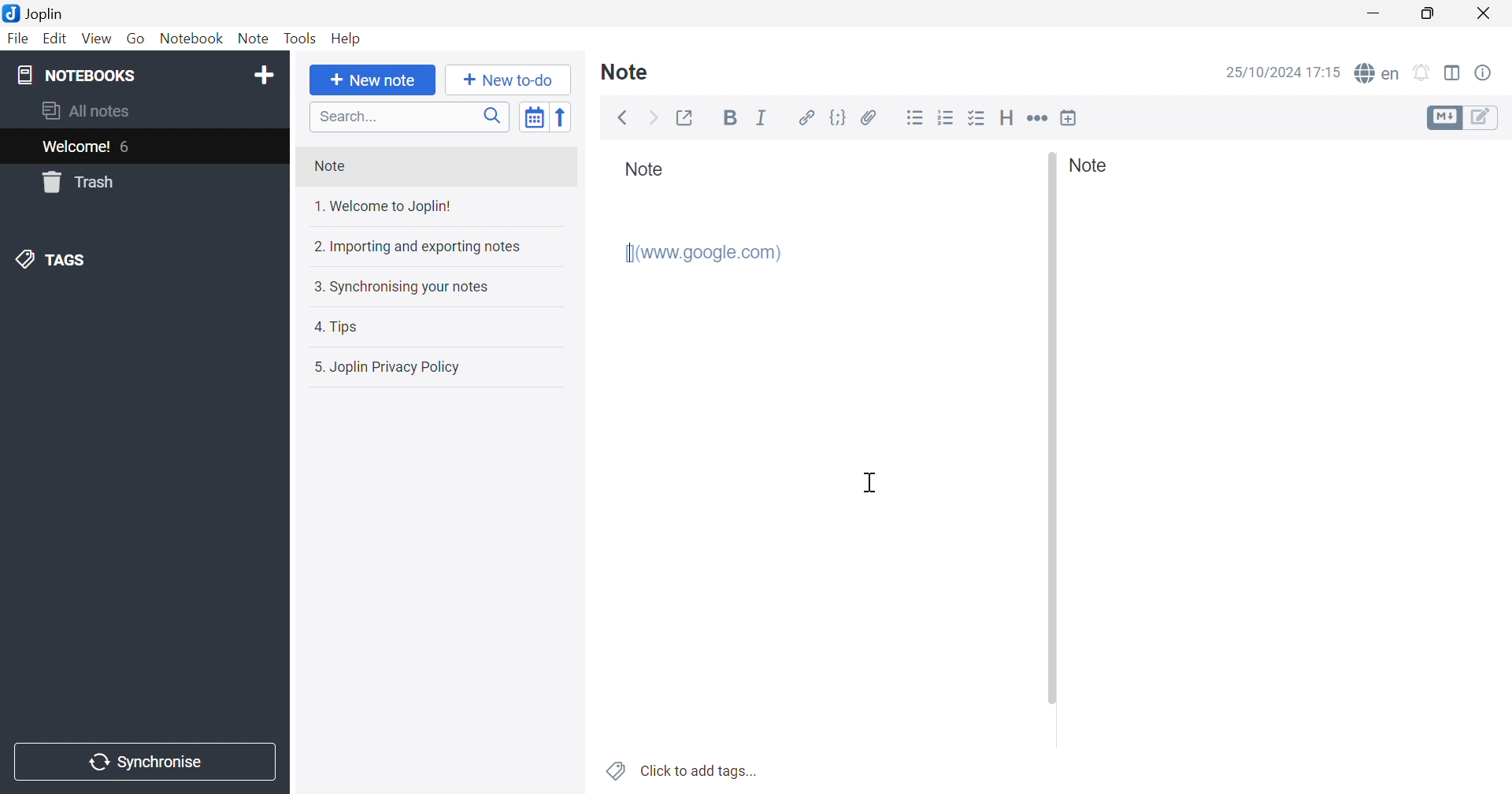 This screenshot has height=794, width=1512. I want to click on Restore down, so click(1427, 13).